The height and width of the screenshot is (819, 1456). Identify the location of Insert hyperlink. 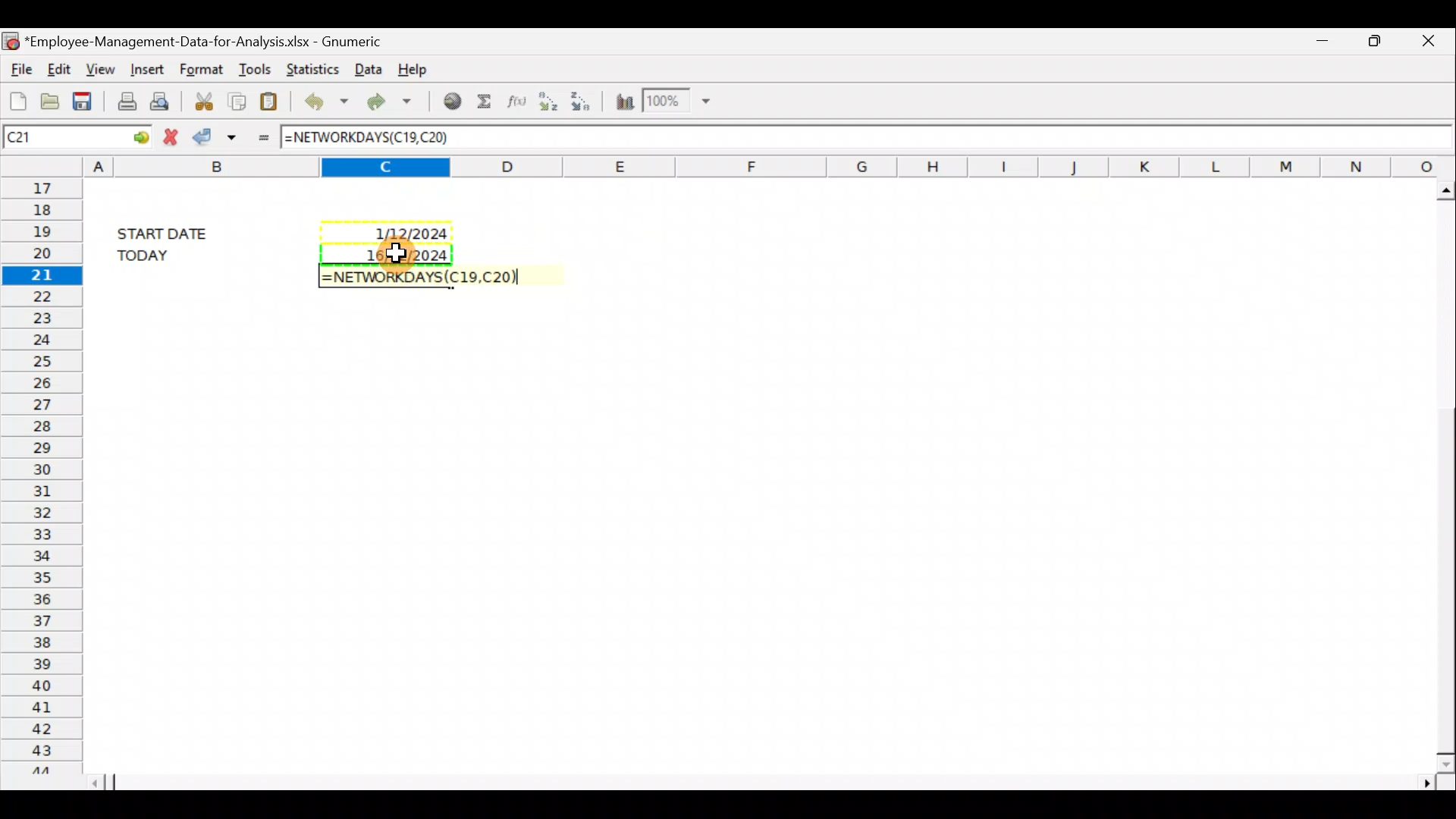
(447, 102).